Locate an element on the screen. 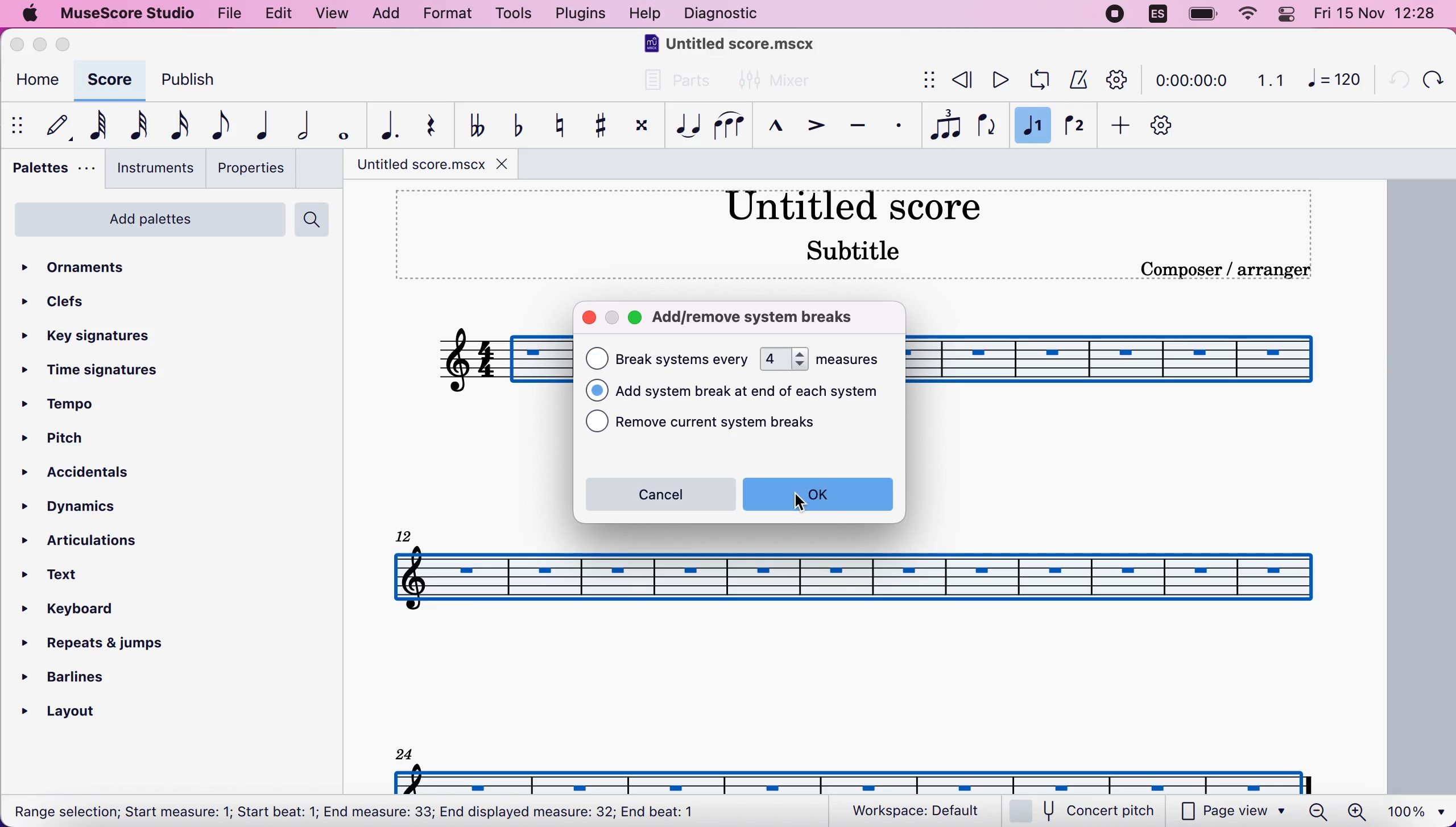 This screenshot has width=1456, height=827. add/remove system breaks is located at coordinates (766, 316).